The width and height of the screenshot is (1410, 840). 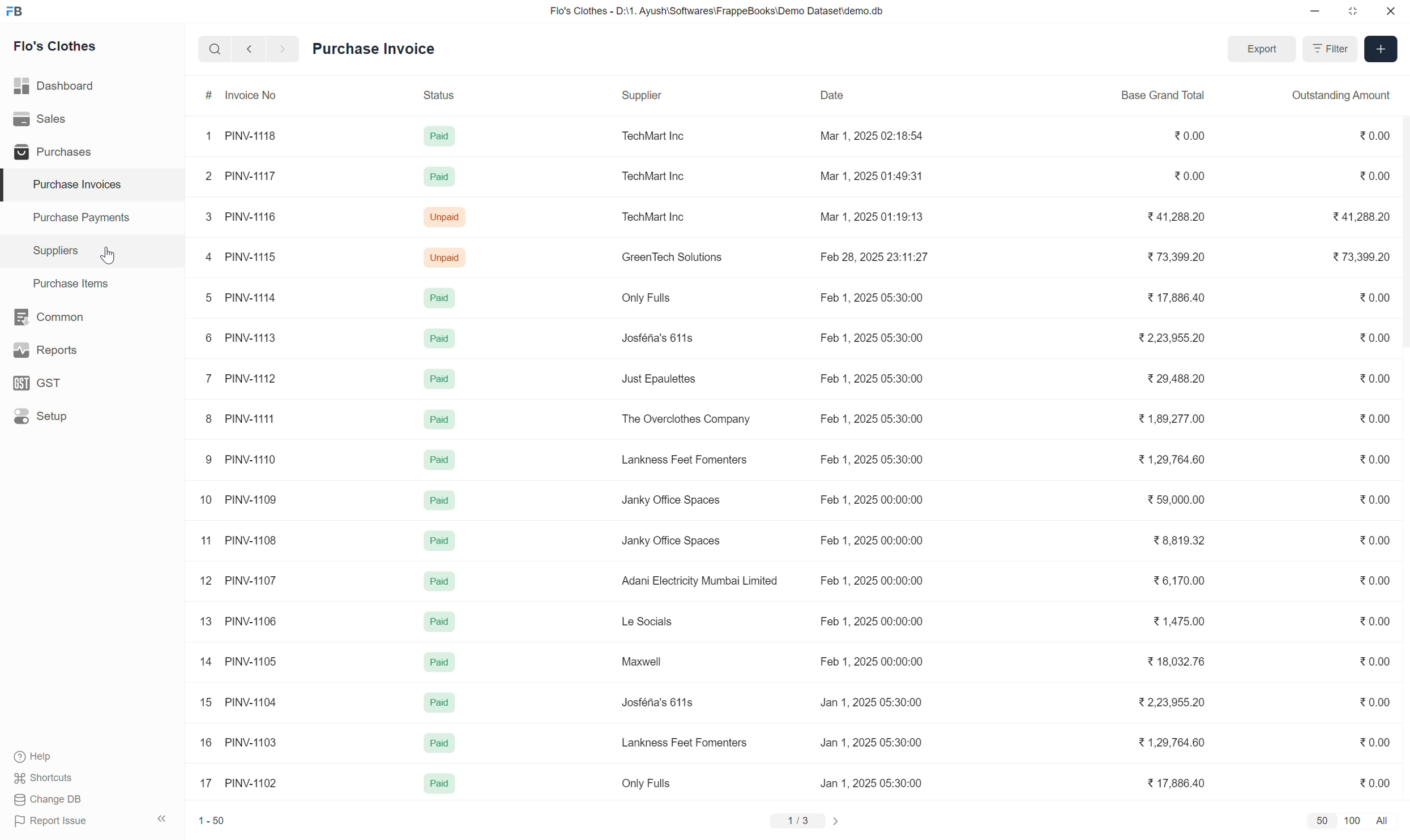 I want to click on cursor, so click(x=112, y=255).